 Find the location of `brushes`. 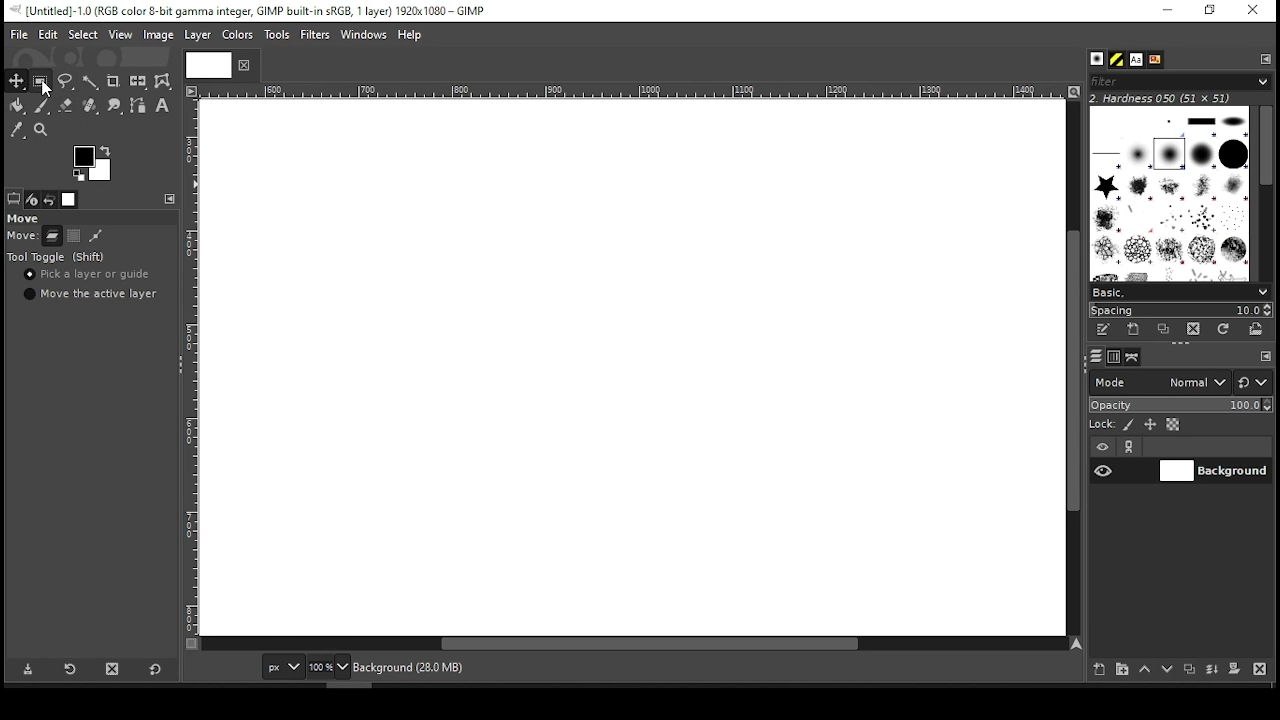

brushes is located at coordinates (1097, 60).